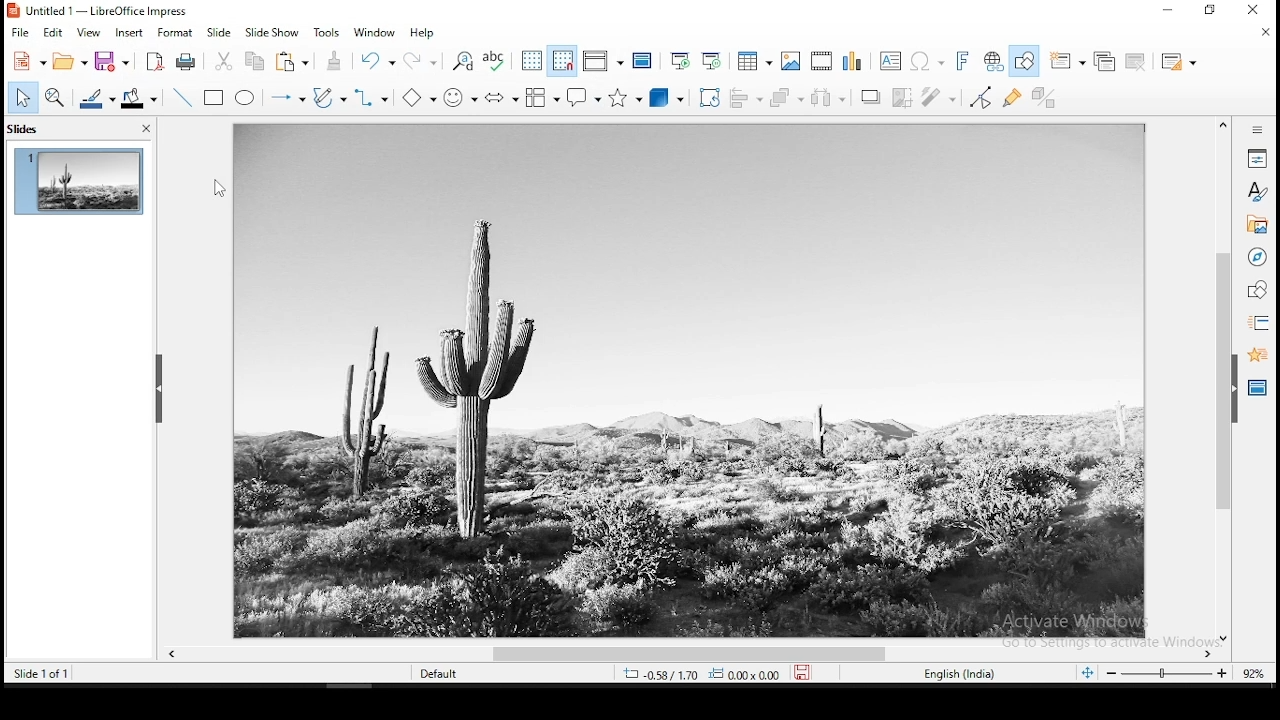 This screenshot has height=720, width=1280. Describe the element at coordinates (1258, 257) in the screenshot. I see `navigator` at that location.